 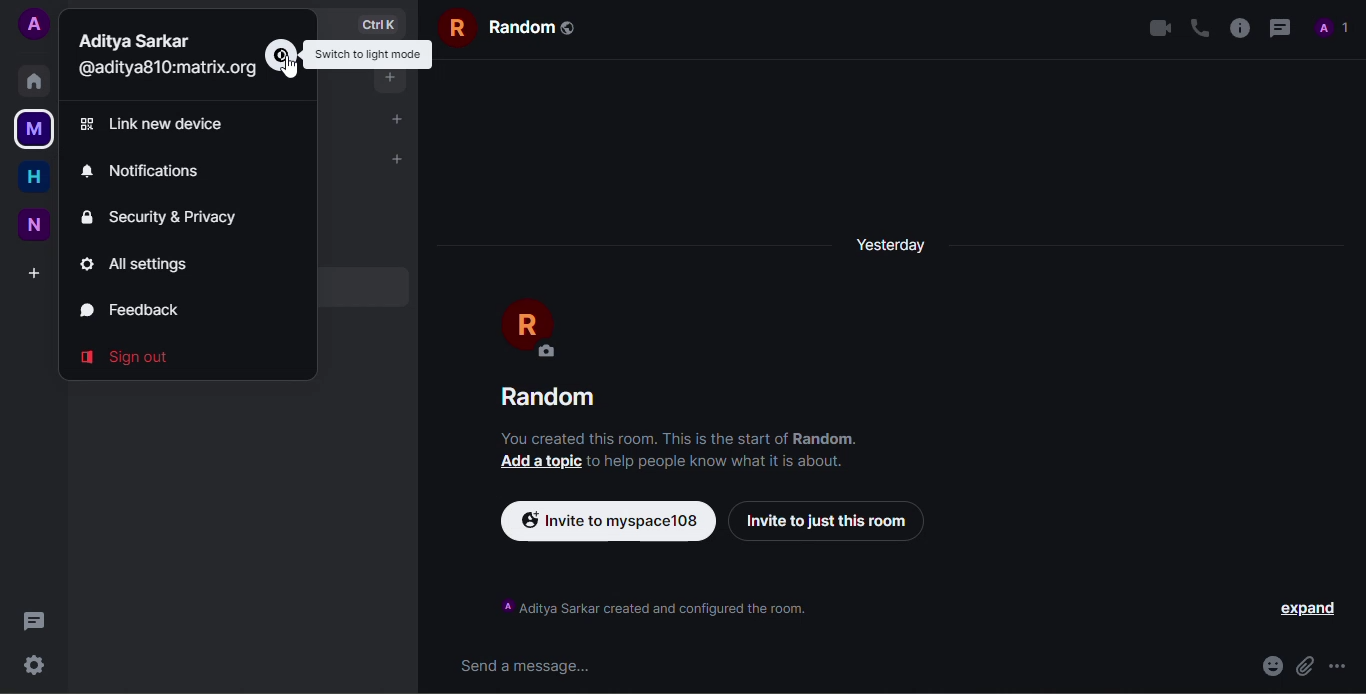 I want to click on add, so click(x=398, y=159).